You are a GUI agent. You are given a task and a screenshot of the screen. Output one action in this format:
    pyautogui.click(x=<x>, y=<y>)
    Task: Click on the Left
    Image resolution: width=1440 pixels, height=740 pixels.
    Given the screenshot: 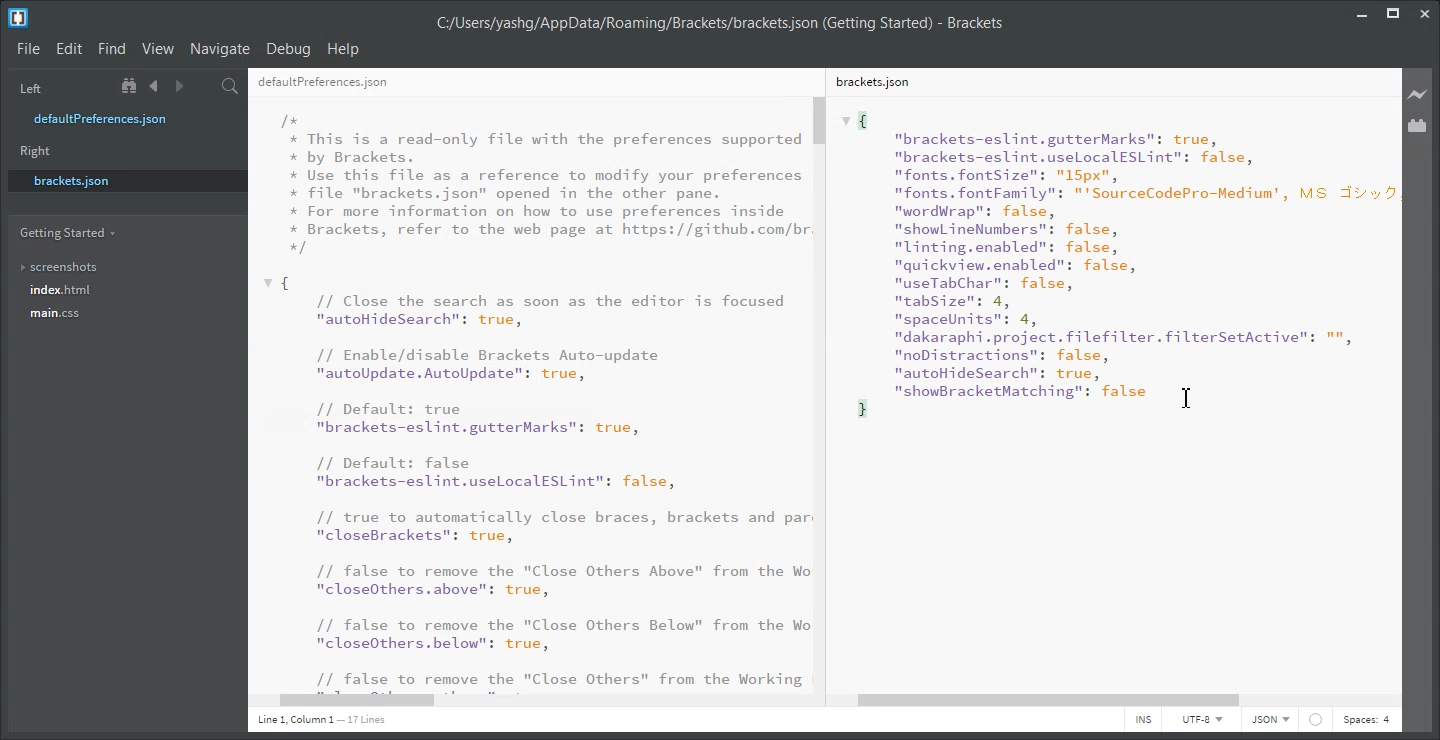 What is the action you would take?
    pyautogui.click(x=28, y=87)
    